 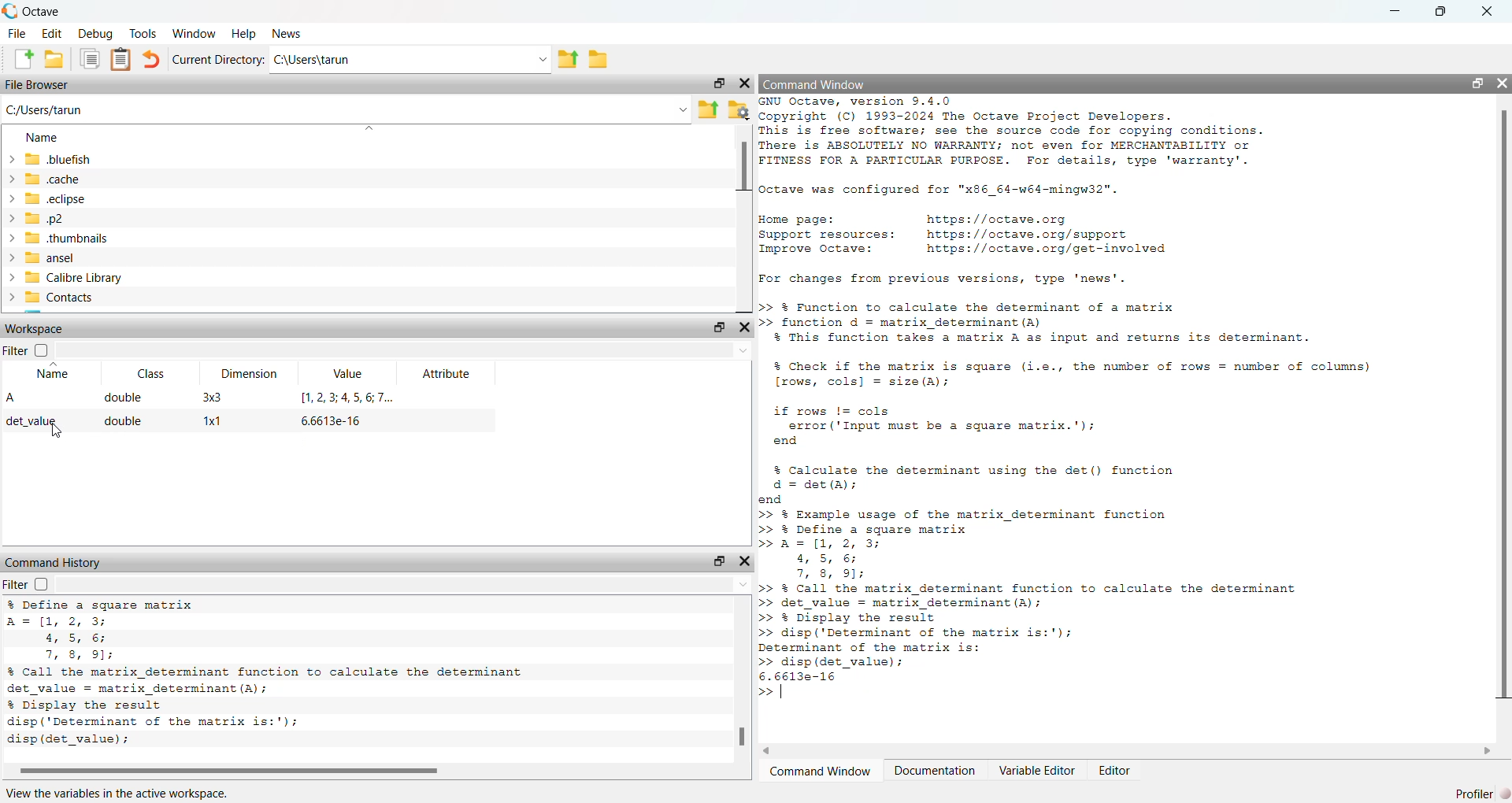 I want to click on file, so click(x=17, y=34).